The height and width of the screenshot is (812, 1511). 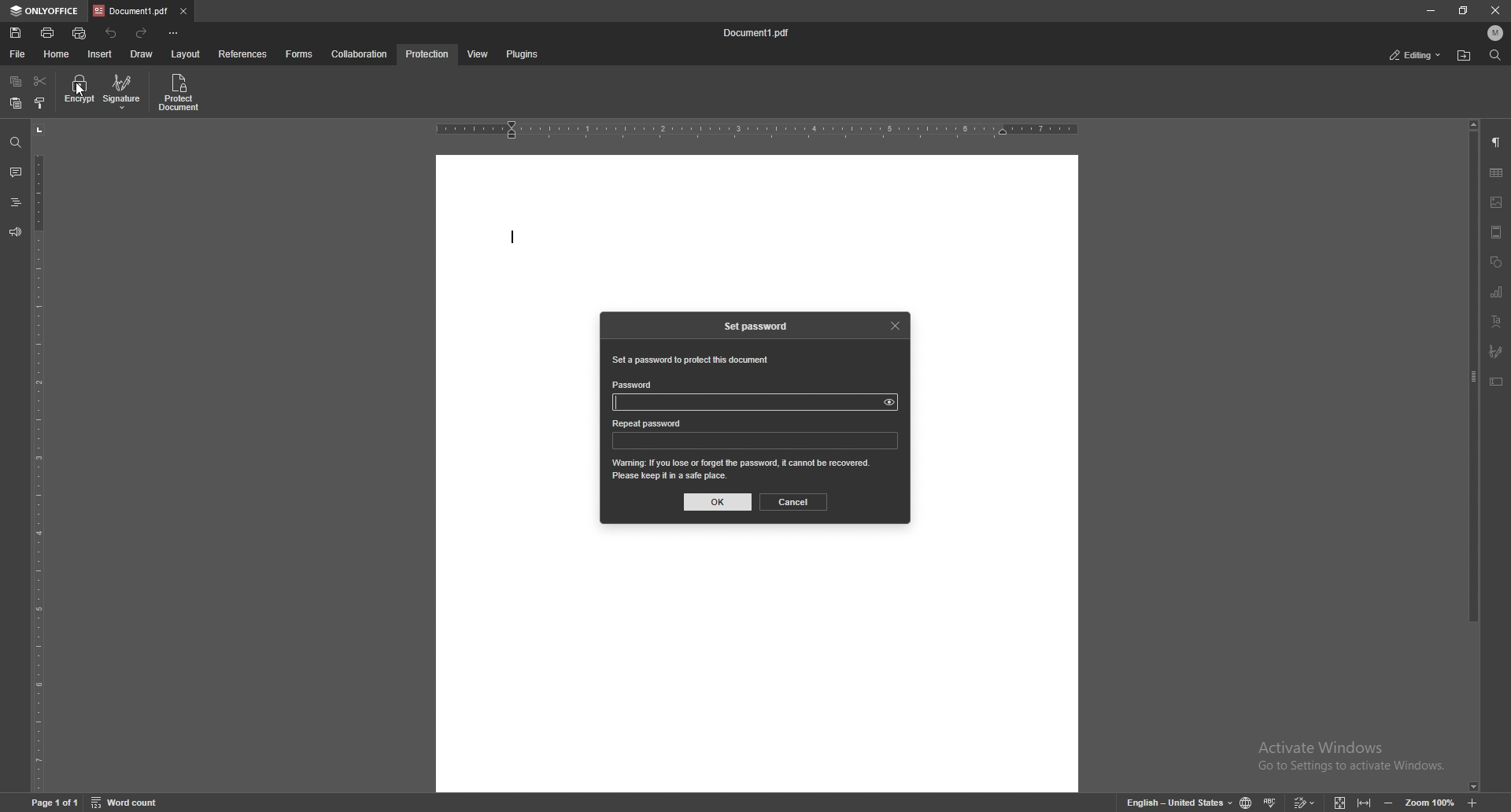 What do you see at coordinates (759, 33) in the screenshot?
I see `file name` at bounding box center [759, 33].